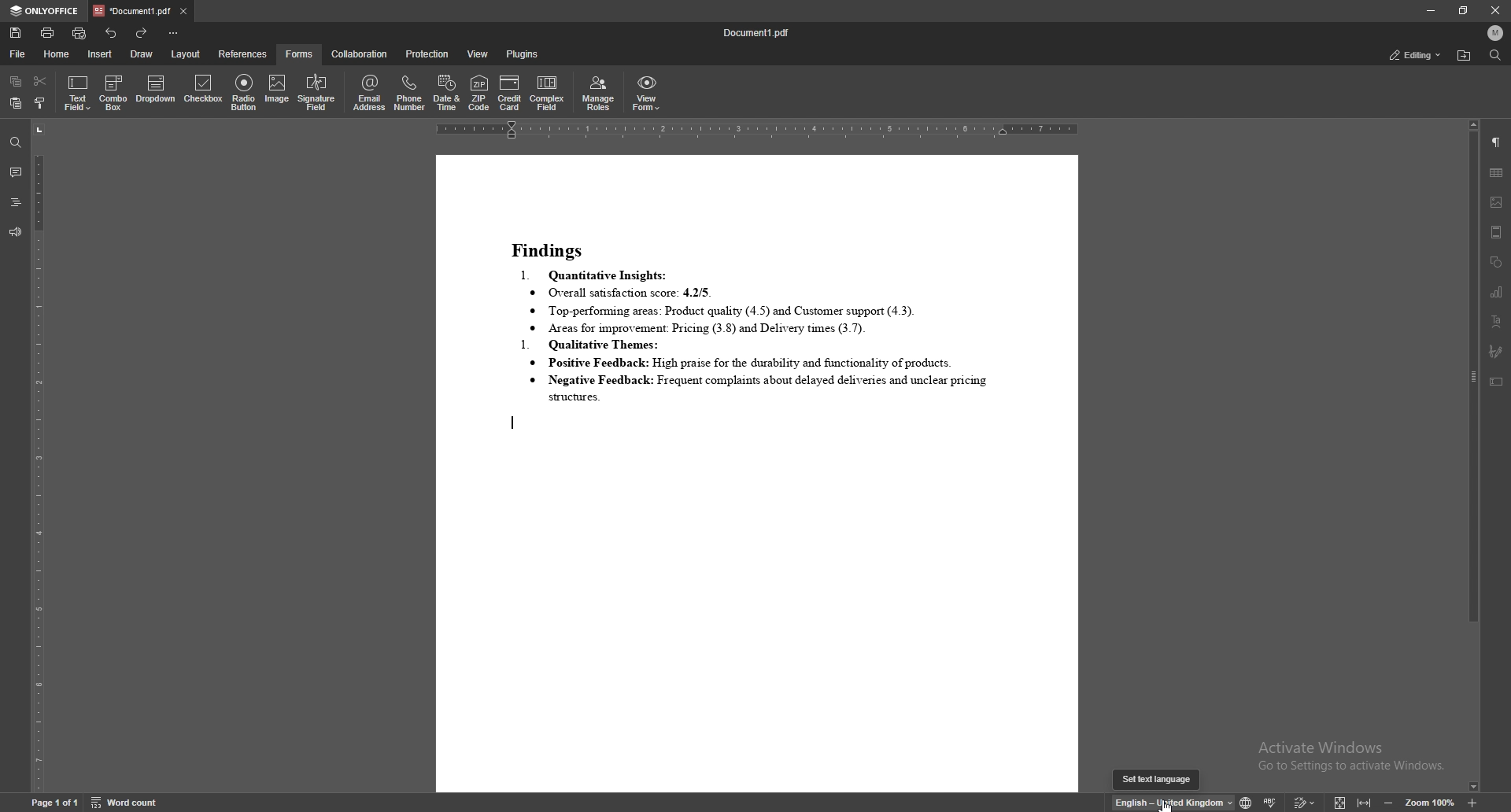 The image size is (1511, 812). I want to click on customize toolbar, so click(174, 34).